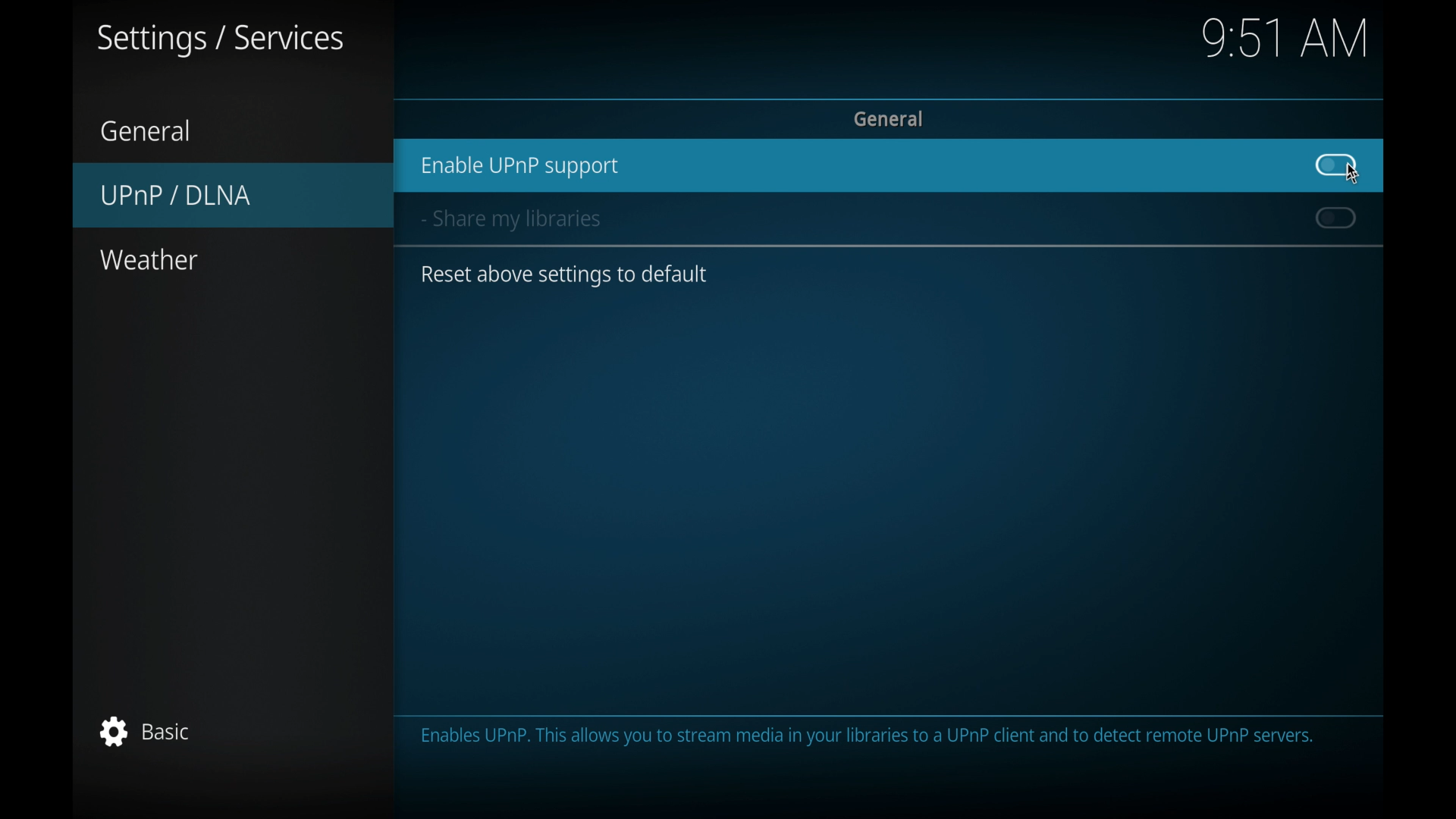 This screenshot has width=1456, height=819. I want to click on general, so click(146, 131).